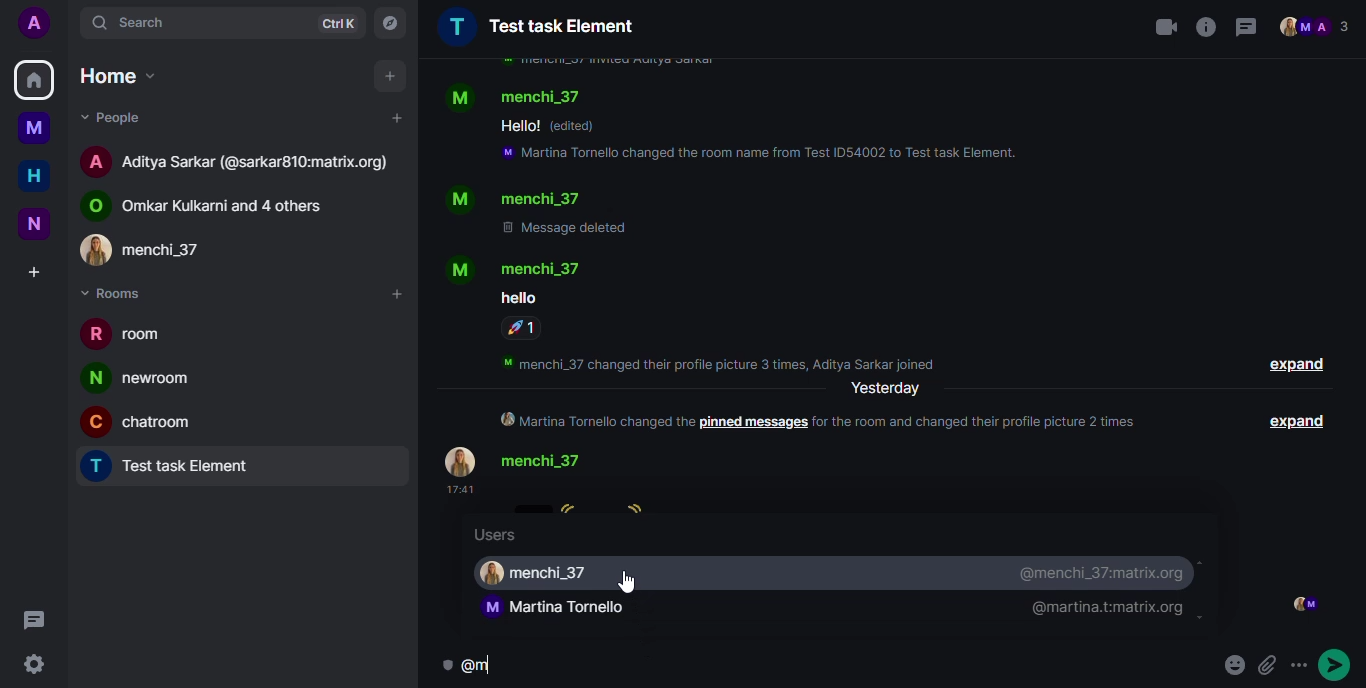 Image resolution: width=1366 pixels, height=688 pixels. I want to click on seen, so click(1303, 604).